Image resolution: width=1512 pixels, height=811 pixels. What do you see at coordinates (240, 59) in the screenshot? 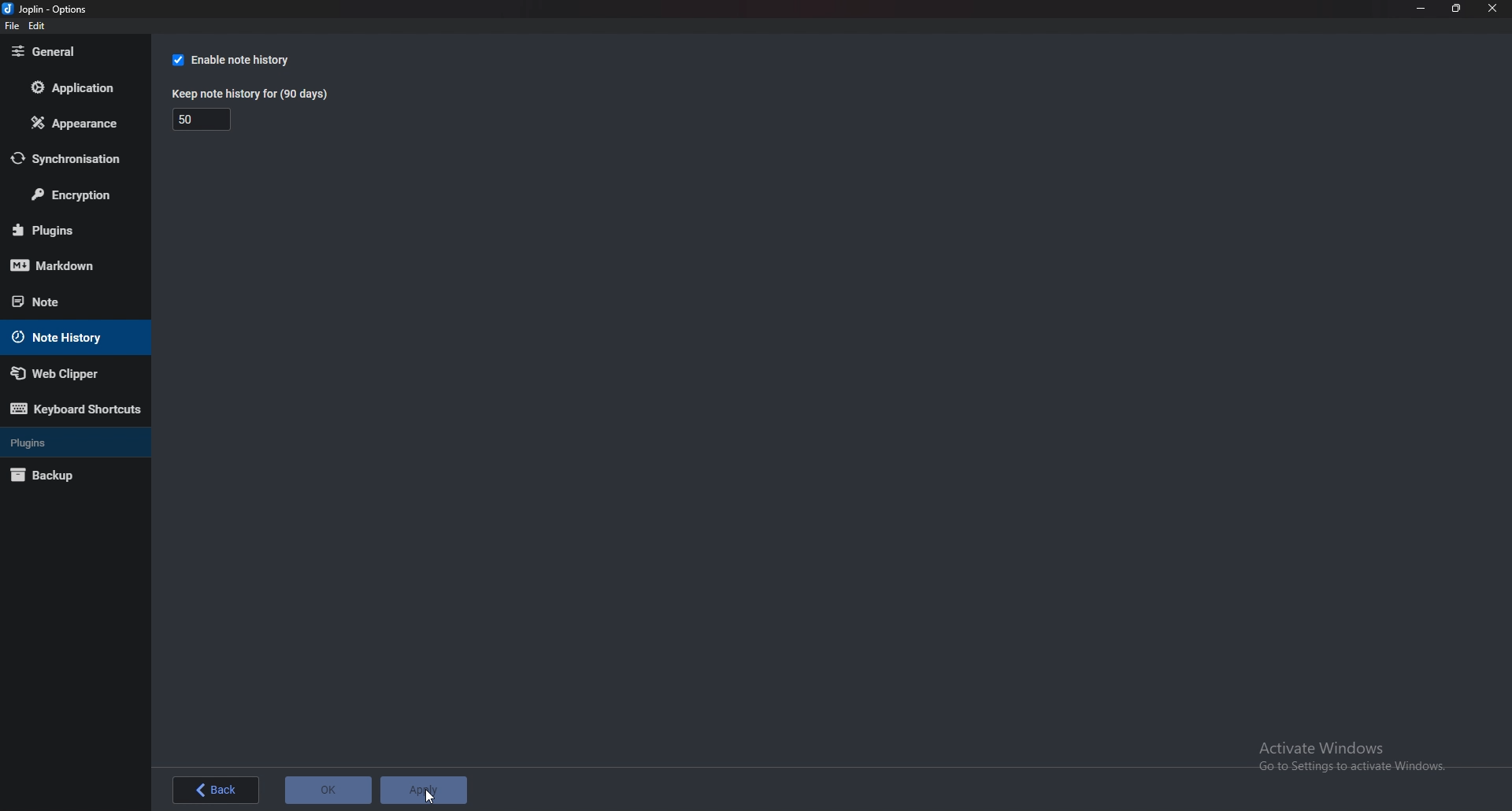
I see `Enable note history` at bounding box center [240, 59].